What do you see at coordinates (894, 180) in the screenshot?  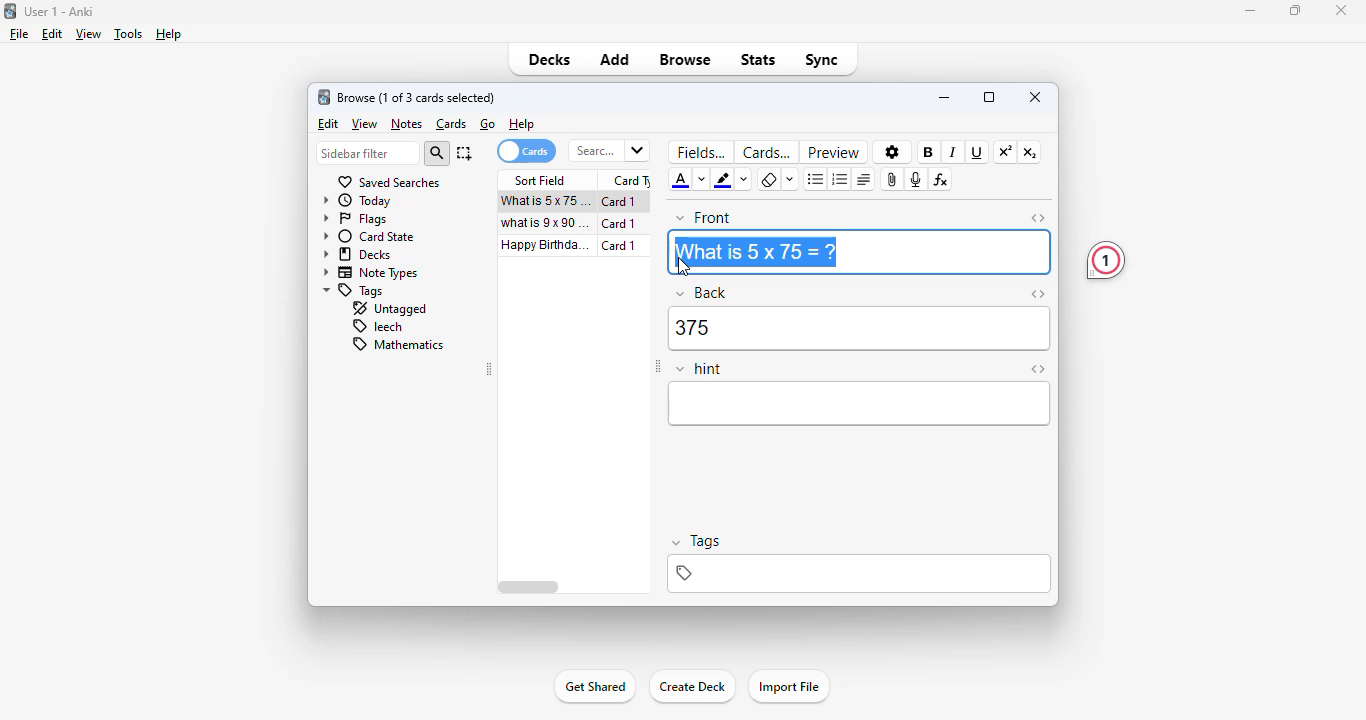 I see `attach pictures/audio/video` at bounding box center [894, 180].